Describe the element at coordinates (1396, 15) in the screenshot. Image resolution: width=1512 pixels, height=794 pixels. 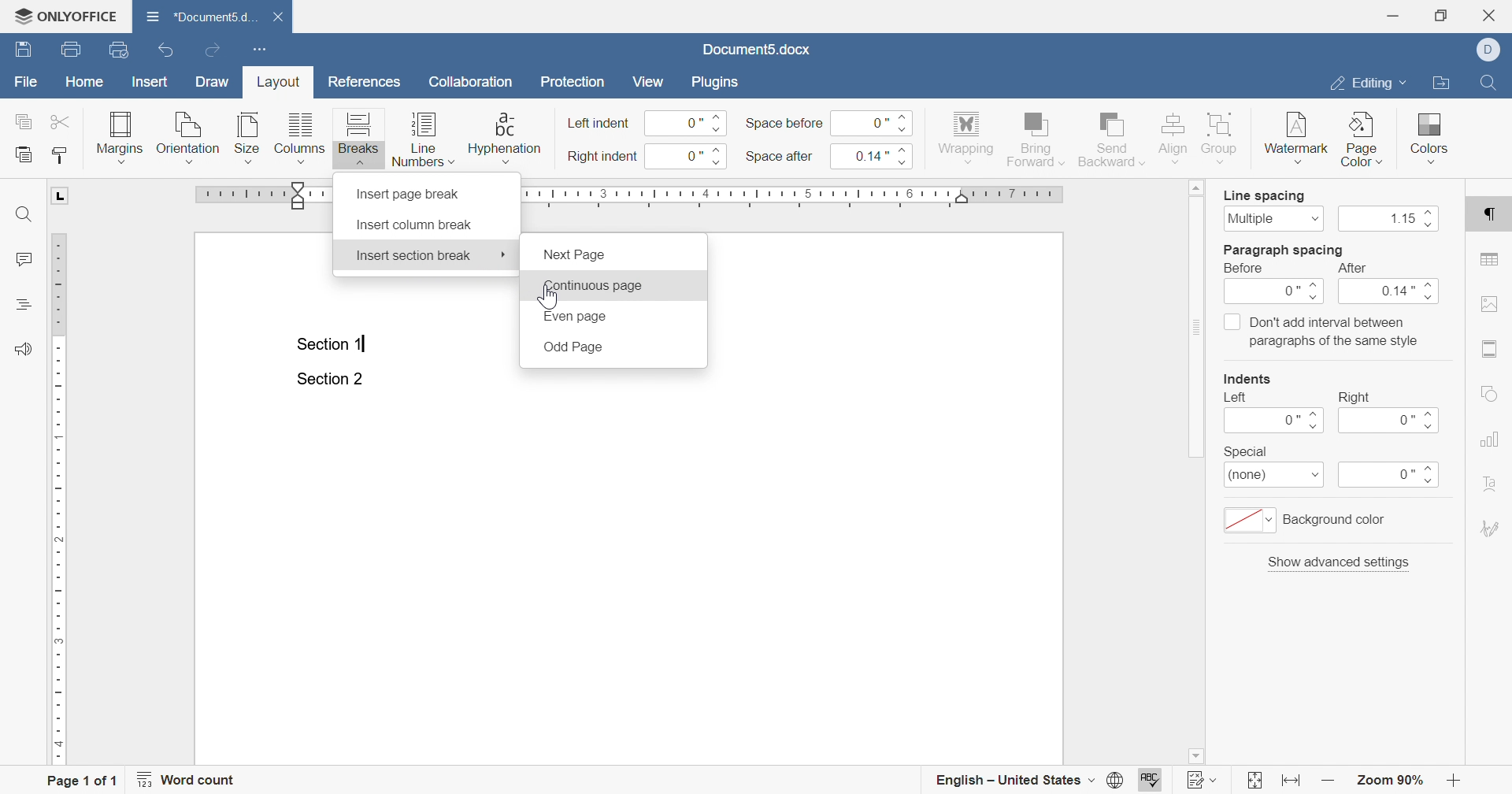
I see `minimize` at that location.